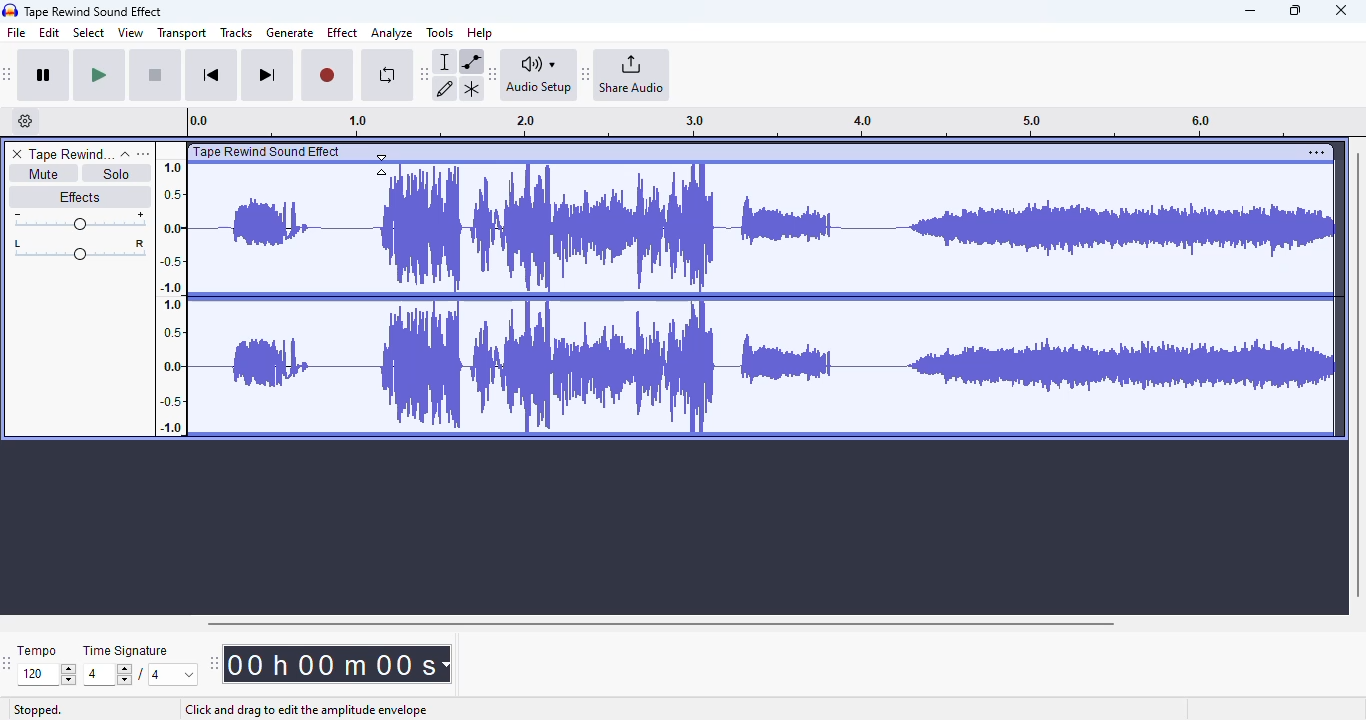  What do you see at coordinates (1295, 10) in the screenshot?
I see `maximize` at bounding box center [1295, 10].